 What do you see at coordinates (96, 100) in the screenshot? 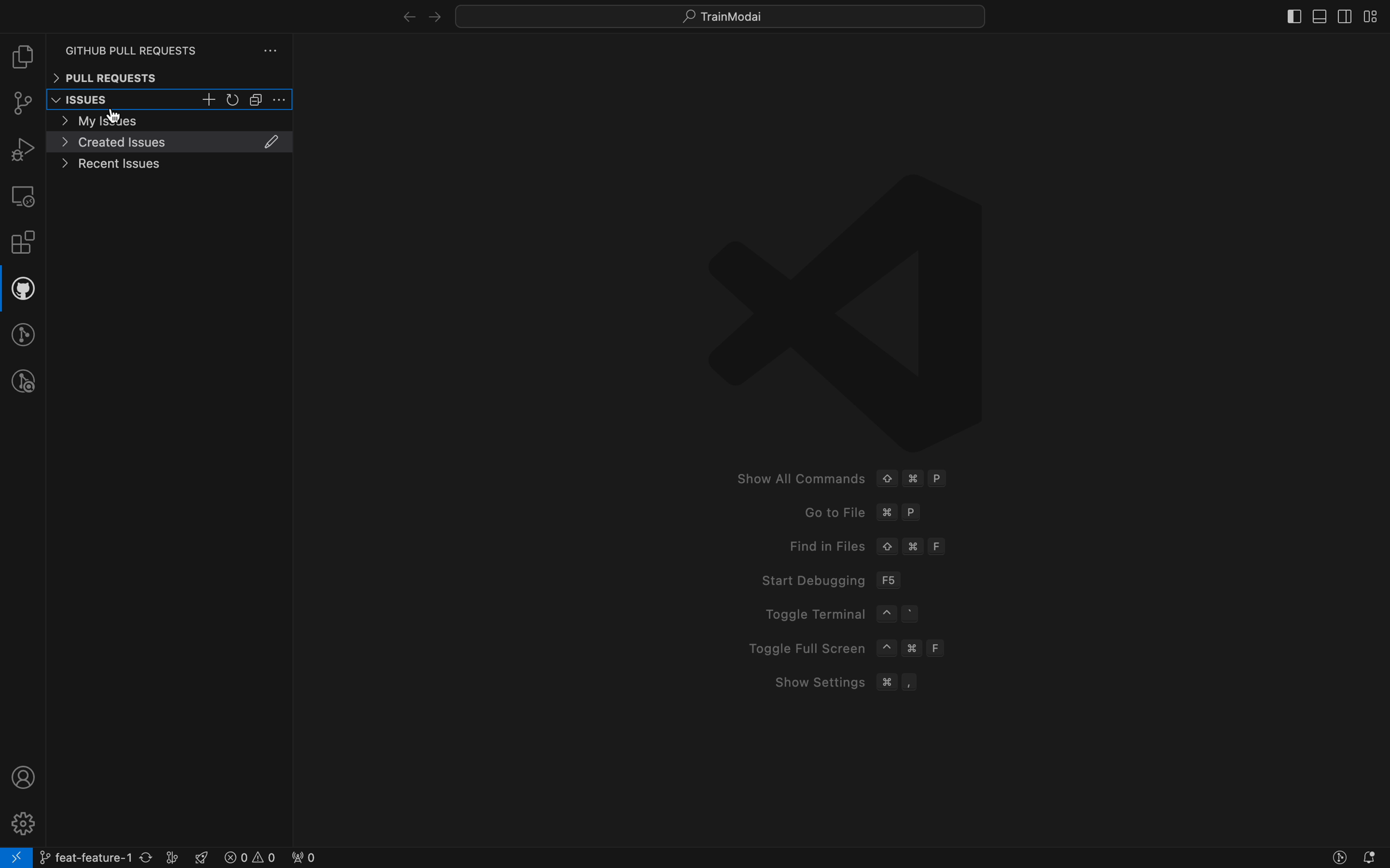
I see `issues` at bounding box center [96, 100].